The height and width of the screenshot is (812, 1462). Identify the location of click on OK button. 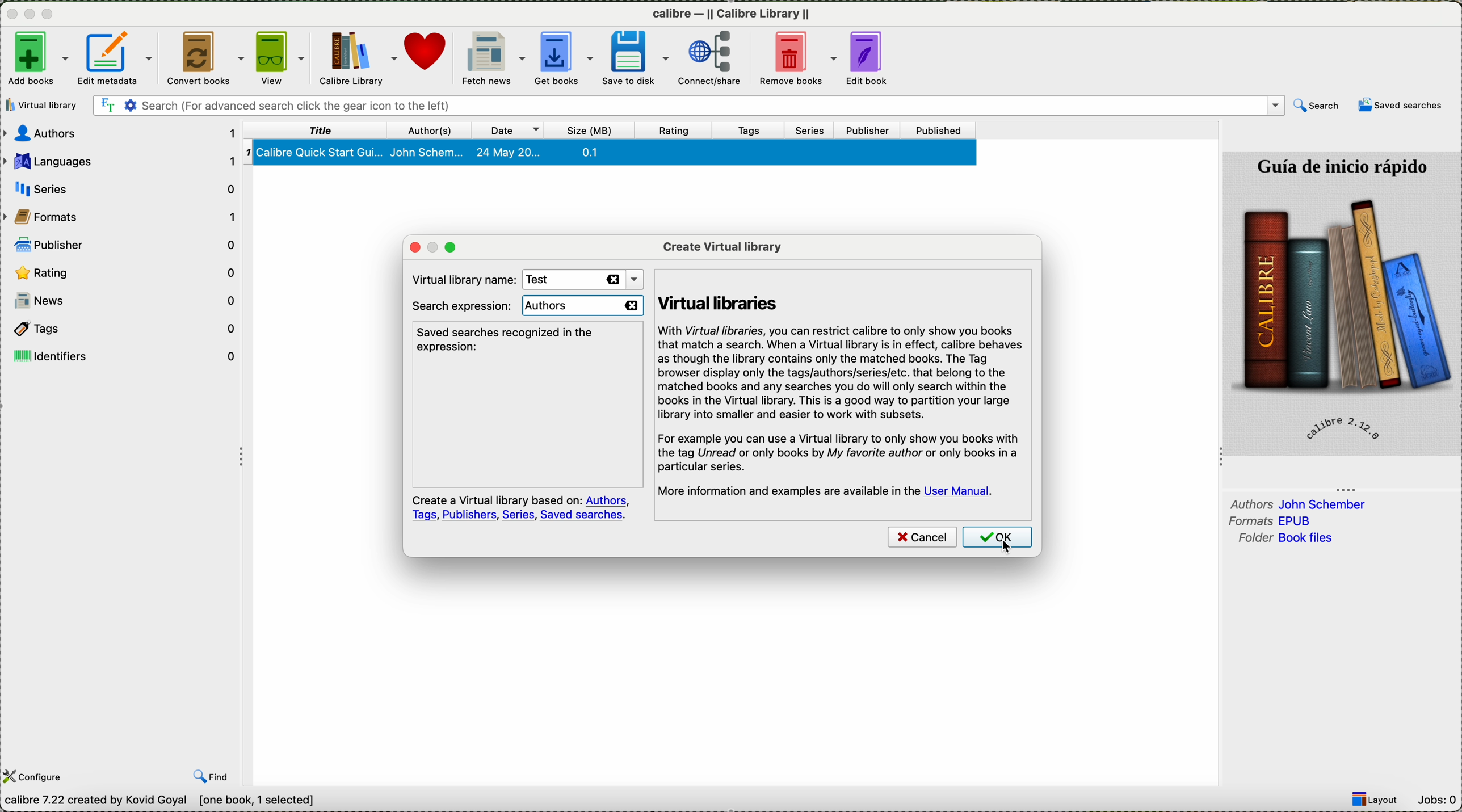
(996, 538).